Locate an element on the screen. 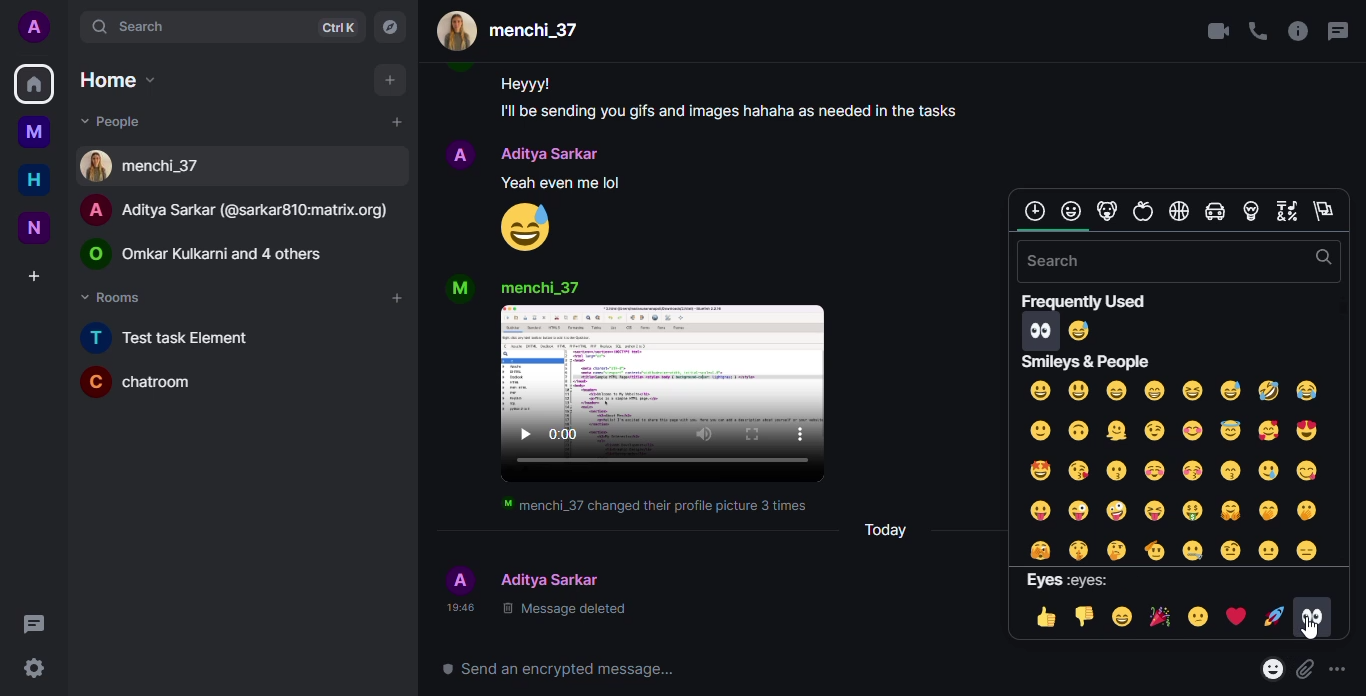  activities is located at coordinates (1177, 210).